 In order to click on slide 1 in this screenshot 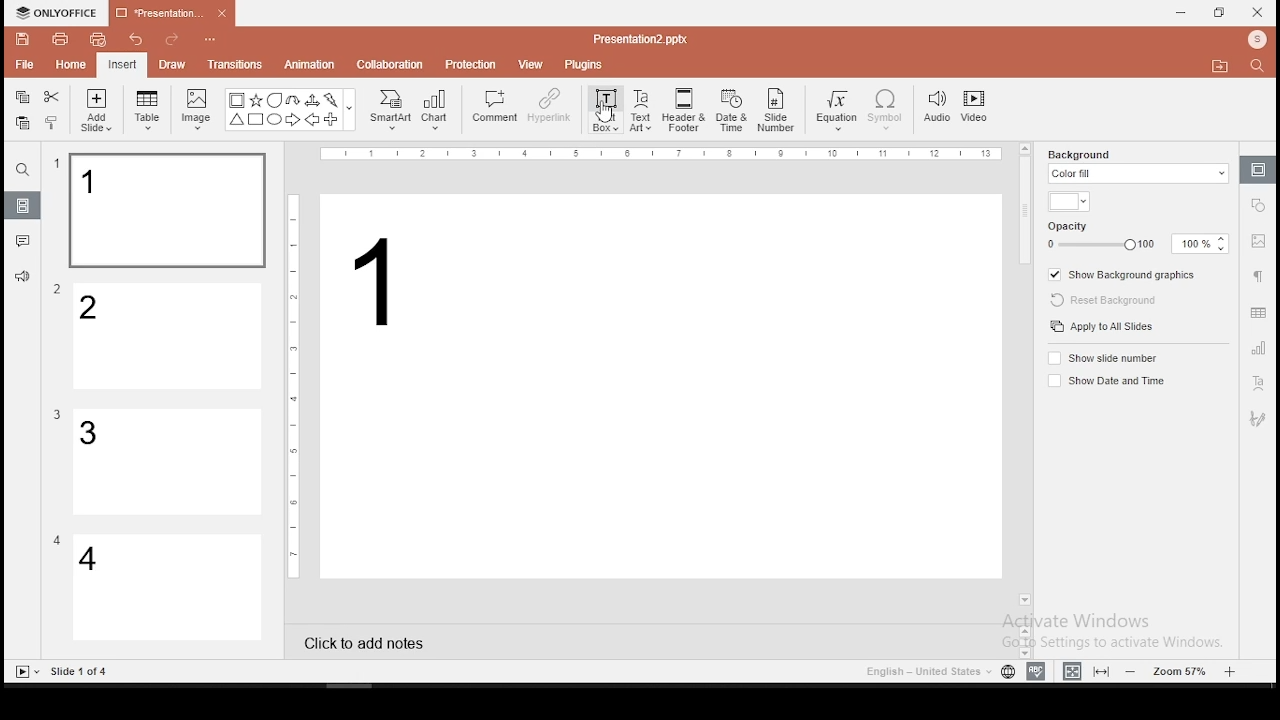, I will do `click(166, 211)`.